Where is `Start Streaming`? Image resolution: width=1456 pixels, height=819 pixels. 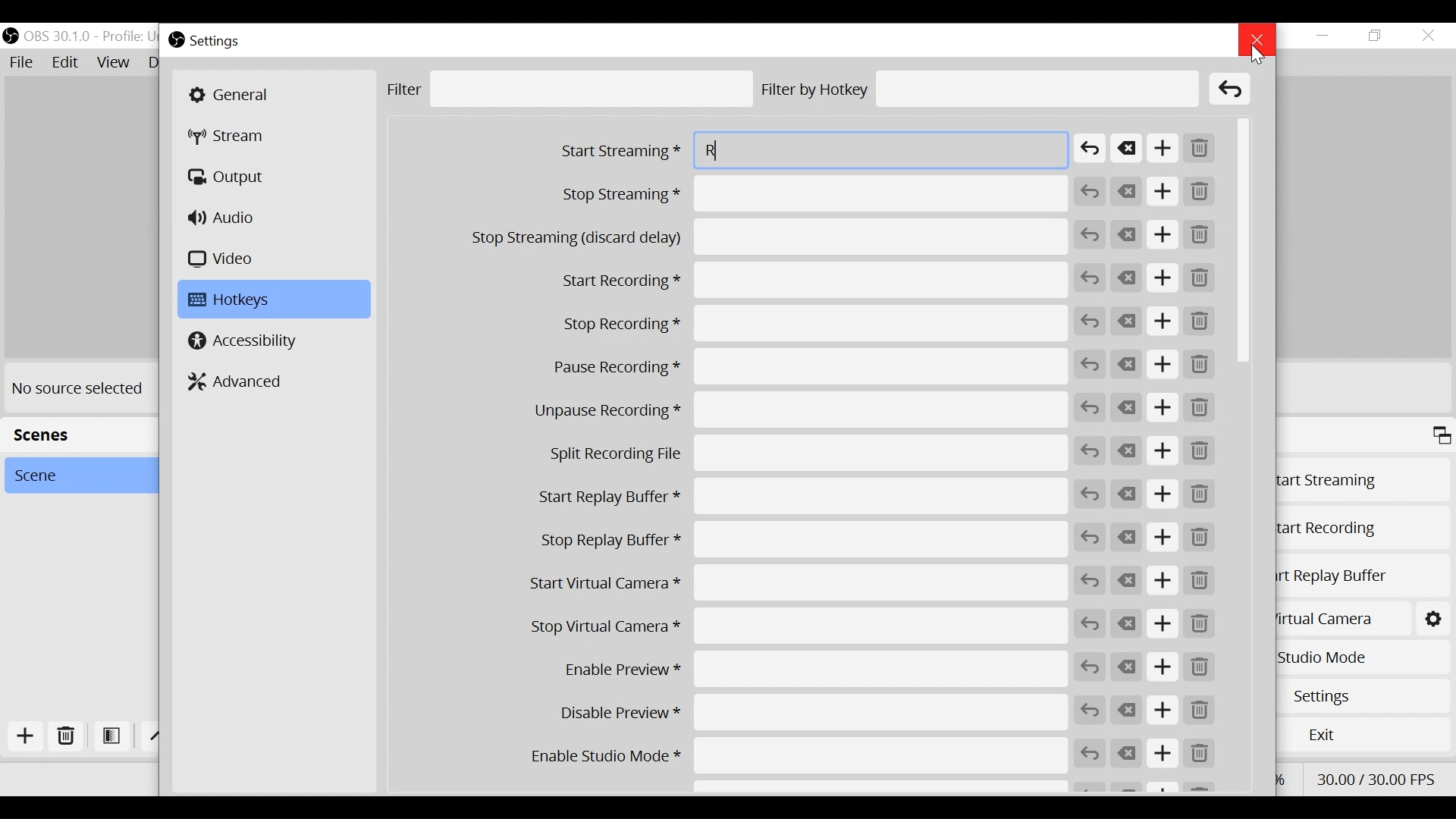 Start Streaming is located at coordinates (1357, 479).